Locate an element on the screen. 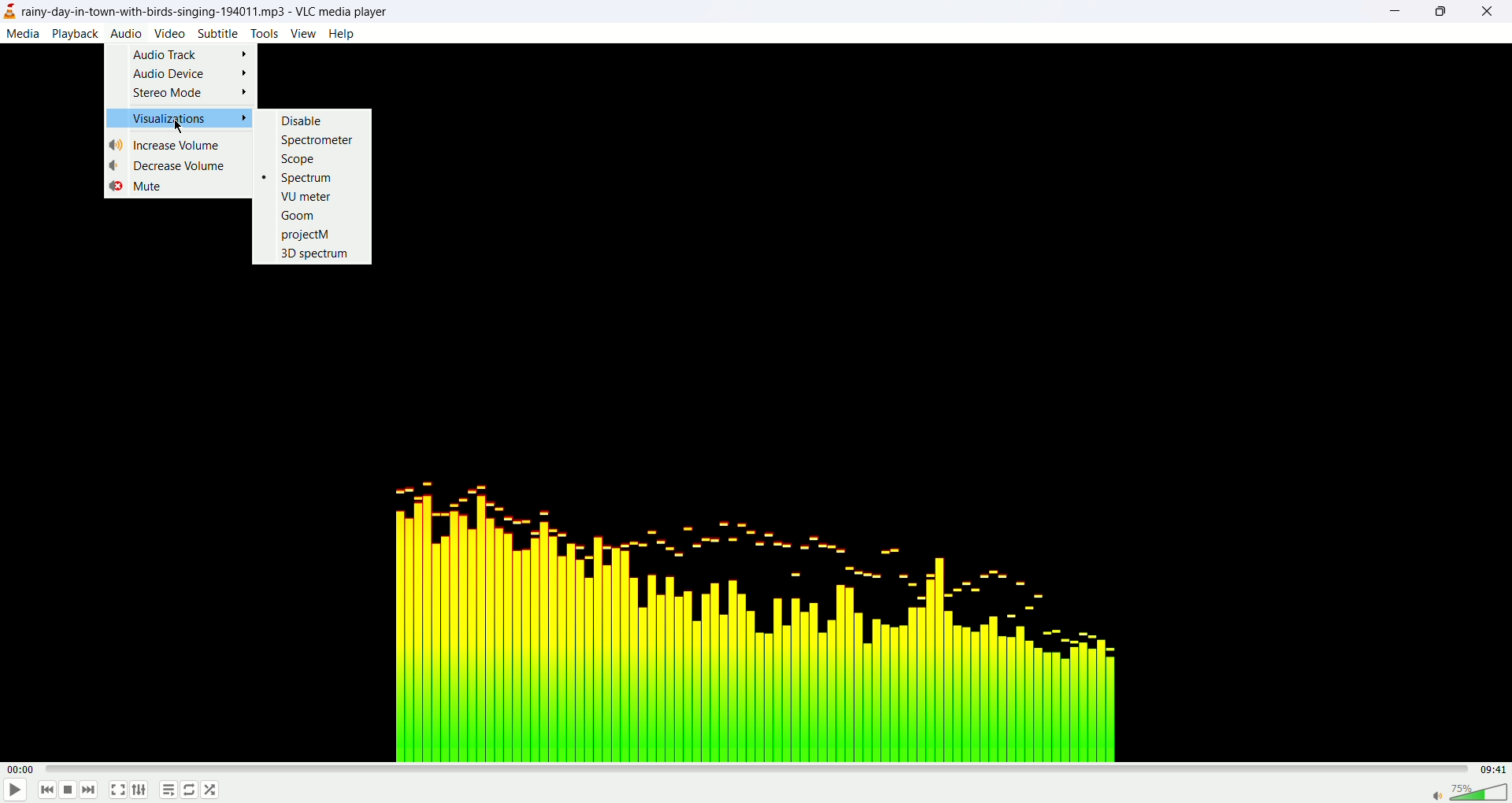  spectrometer is located at coordinates (318, 139).